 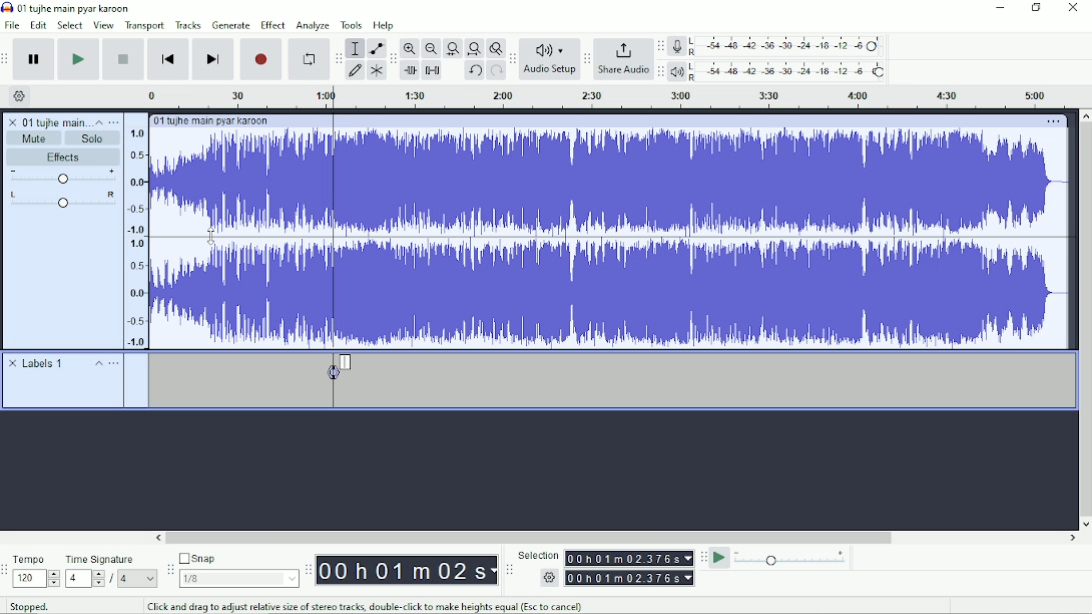 I want to click on Audacity share audio toolbar, so click(x=587, y=60).